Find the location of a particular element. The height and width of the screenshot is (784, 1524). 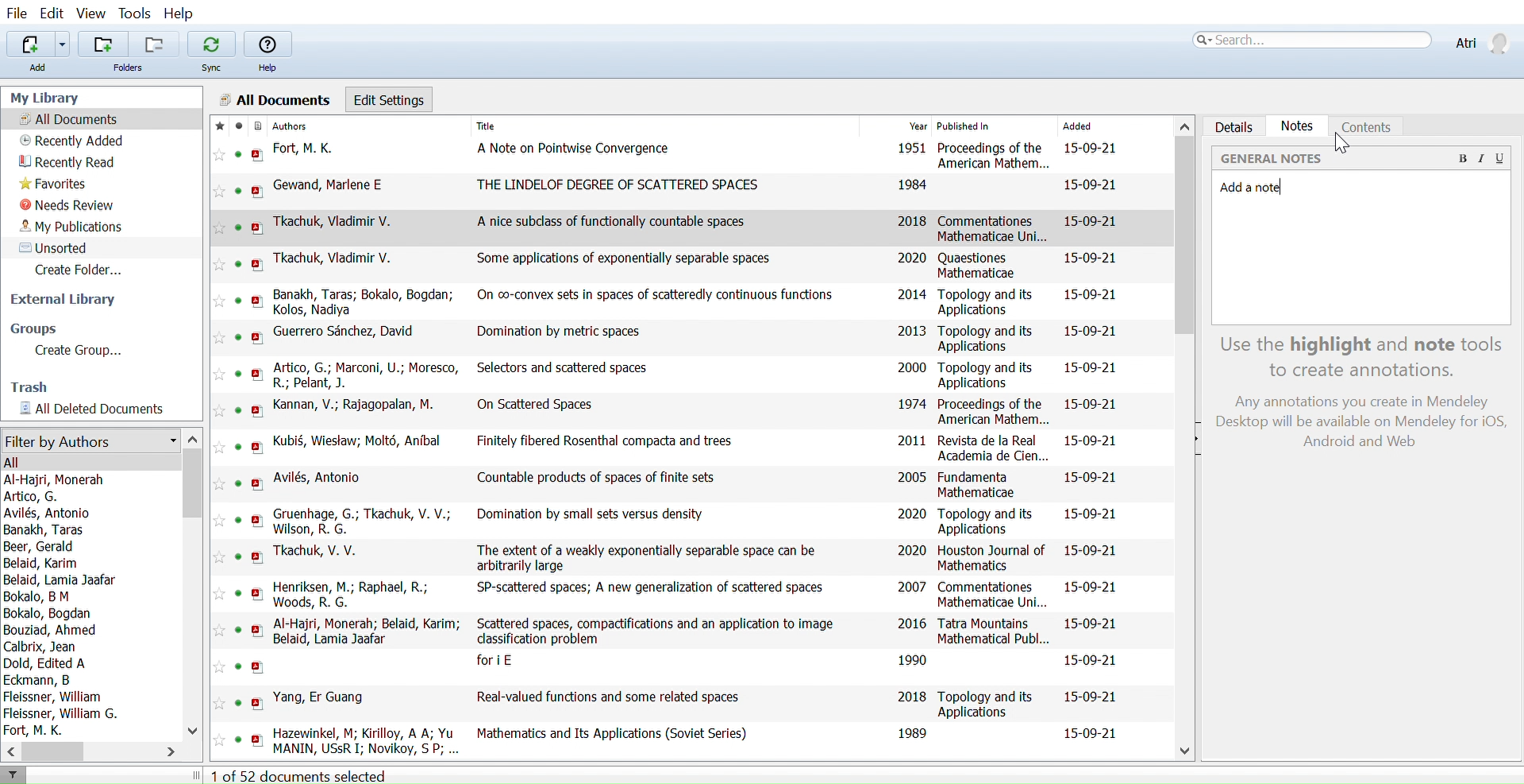

A nice subclass of functionally countable spaces is located at coordinates (612, 221).